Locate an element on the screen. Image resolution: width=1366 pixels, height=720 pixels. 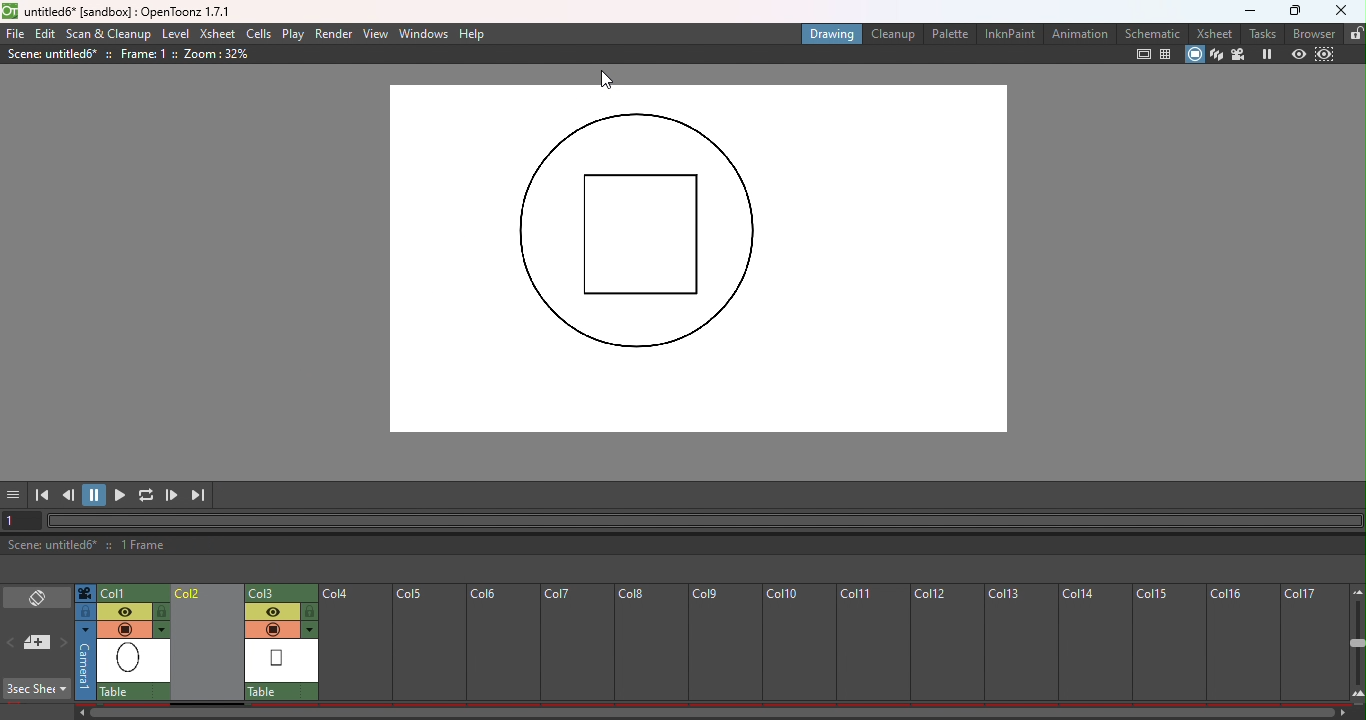
Preview visibility toggle is located at coordinates (125, 610).